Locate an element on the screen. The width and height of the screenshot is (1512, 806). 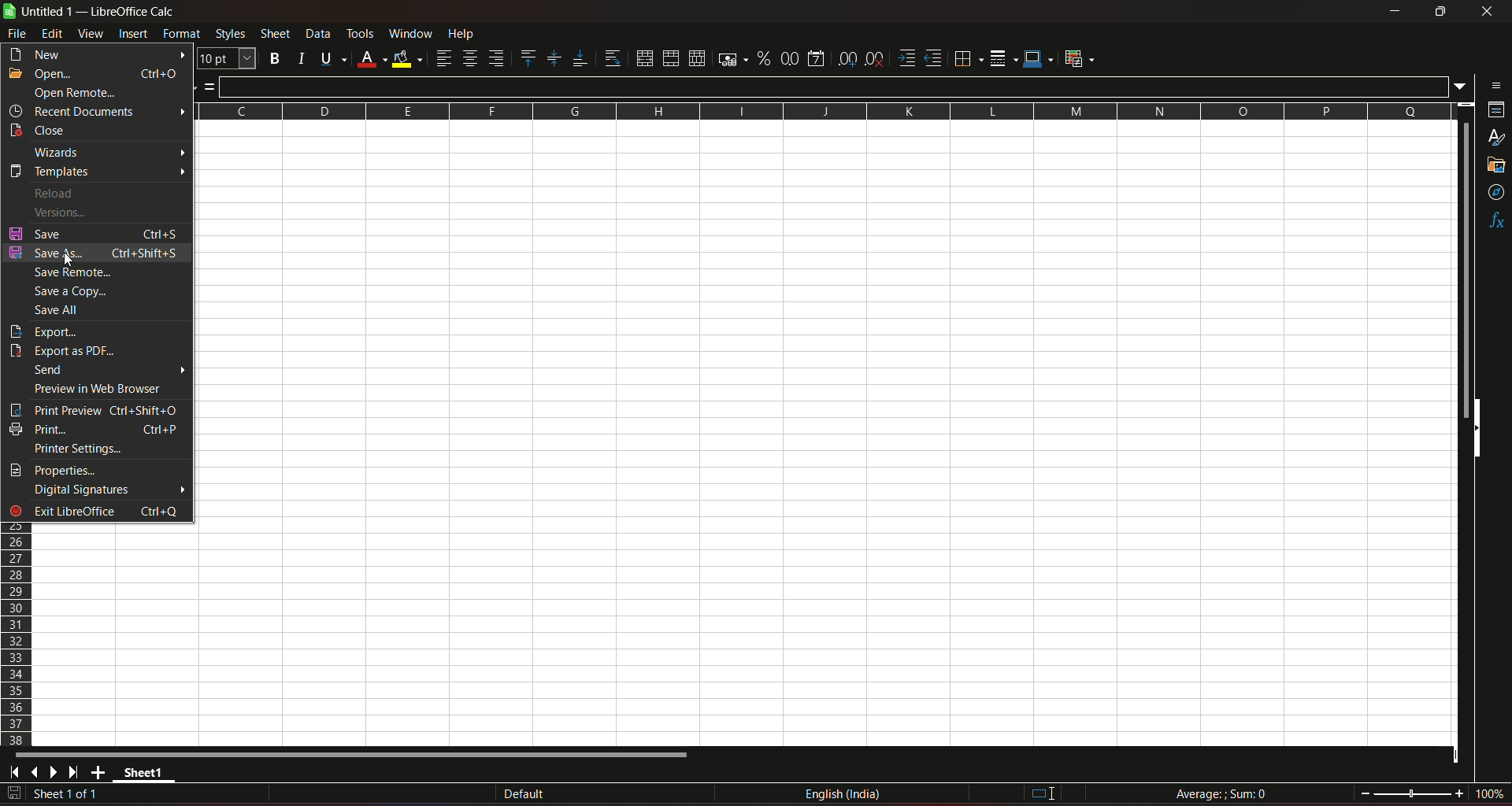
wizards is located at coordinates (108, 152).